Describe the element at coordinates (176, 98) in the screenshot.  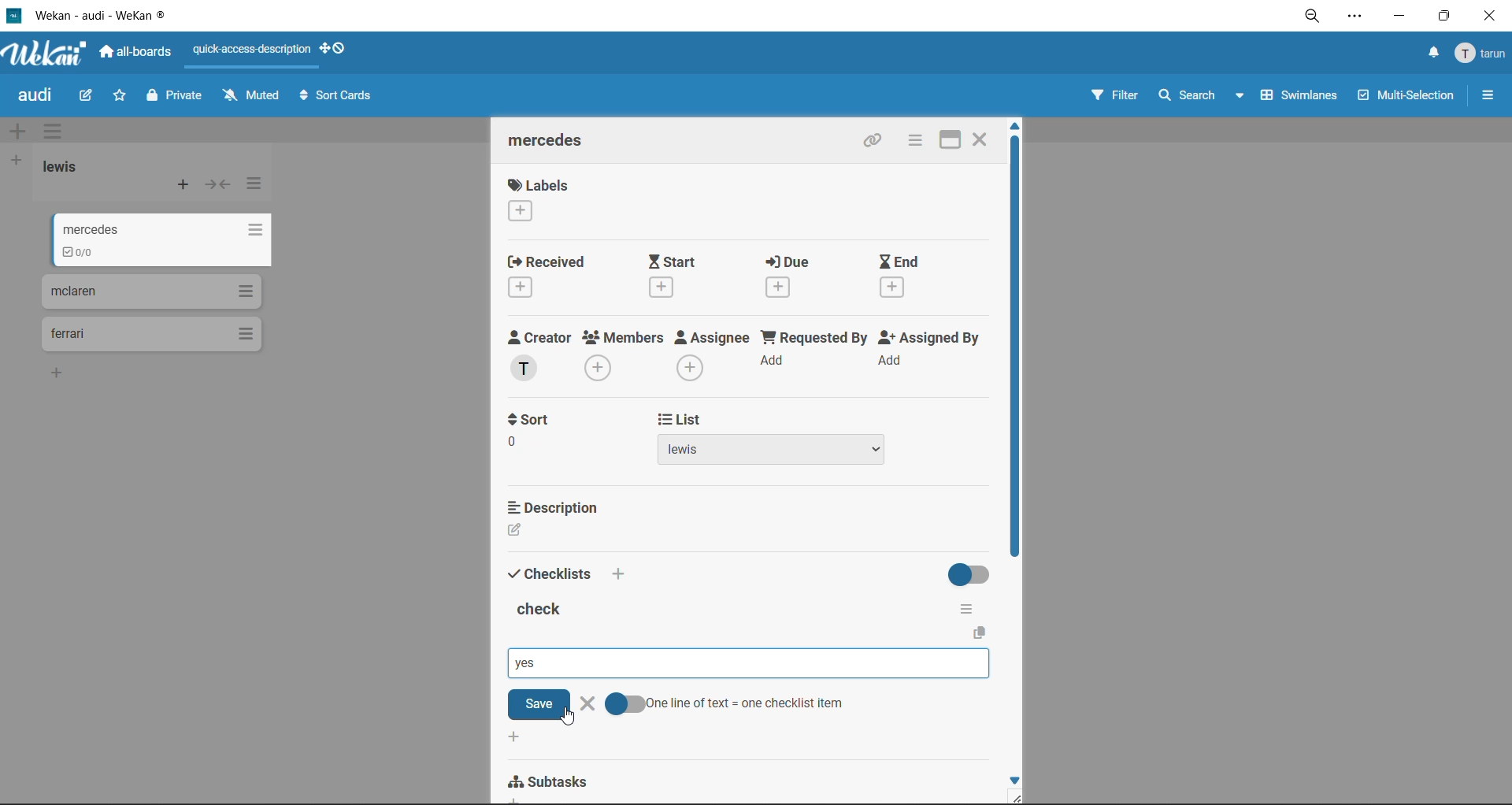
I see `private` at that location.